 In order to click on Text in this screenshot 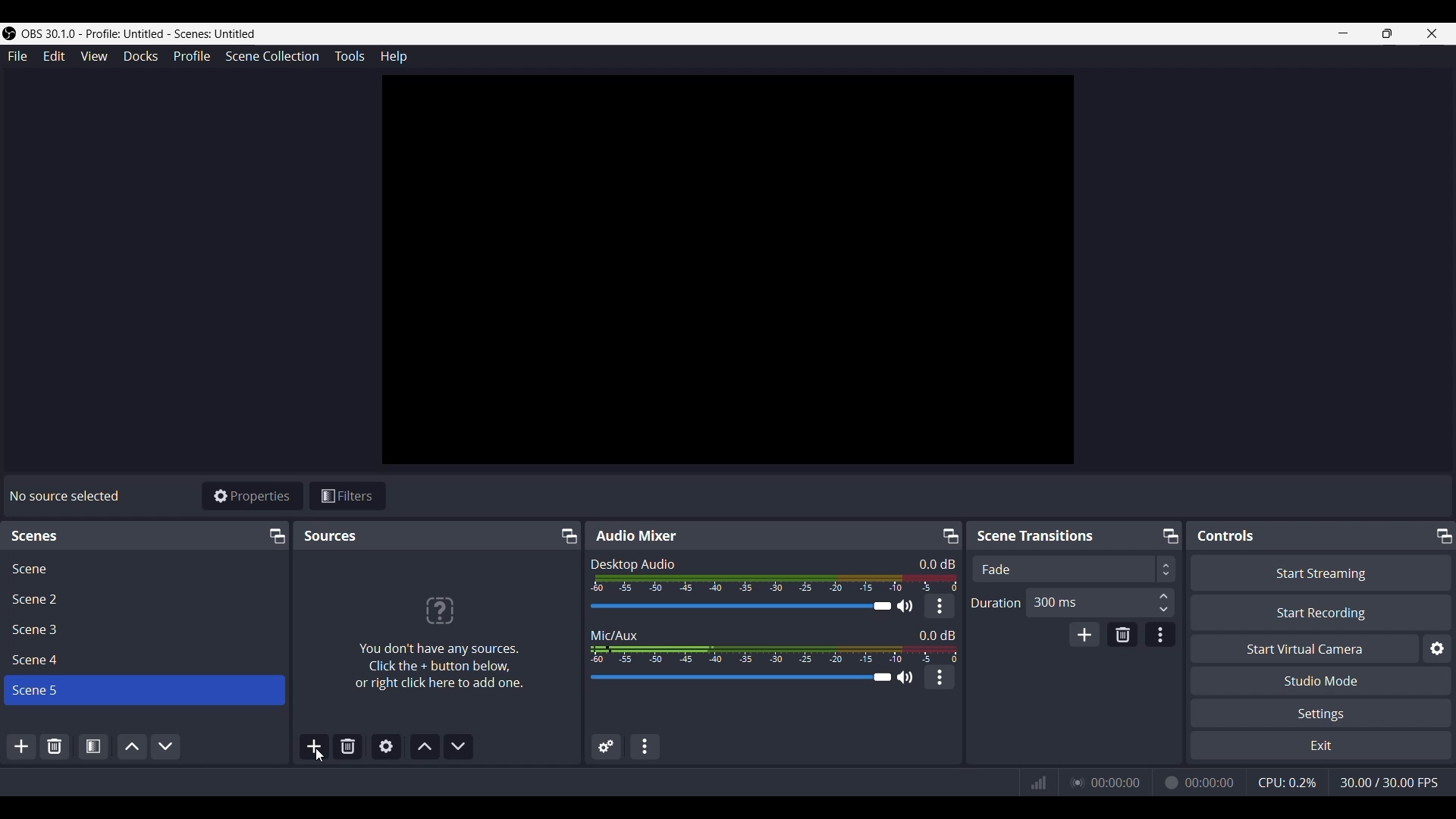, I will do `click(37, 535)`.